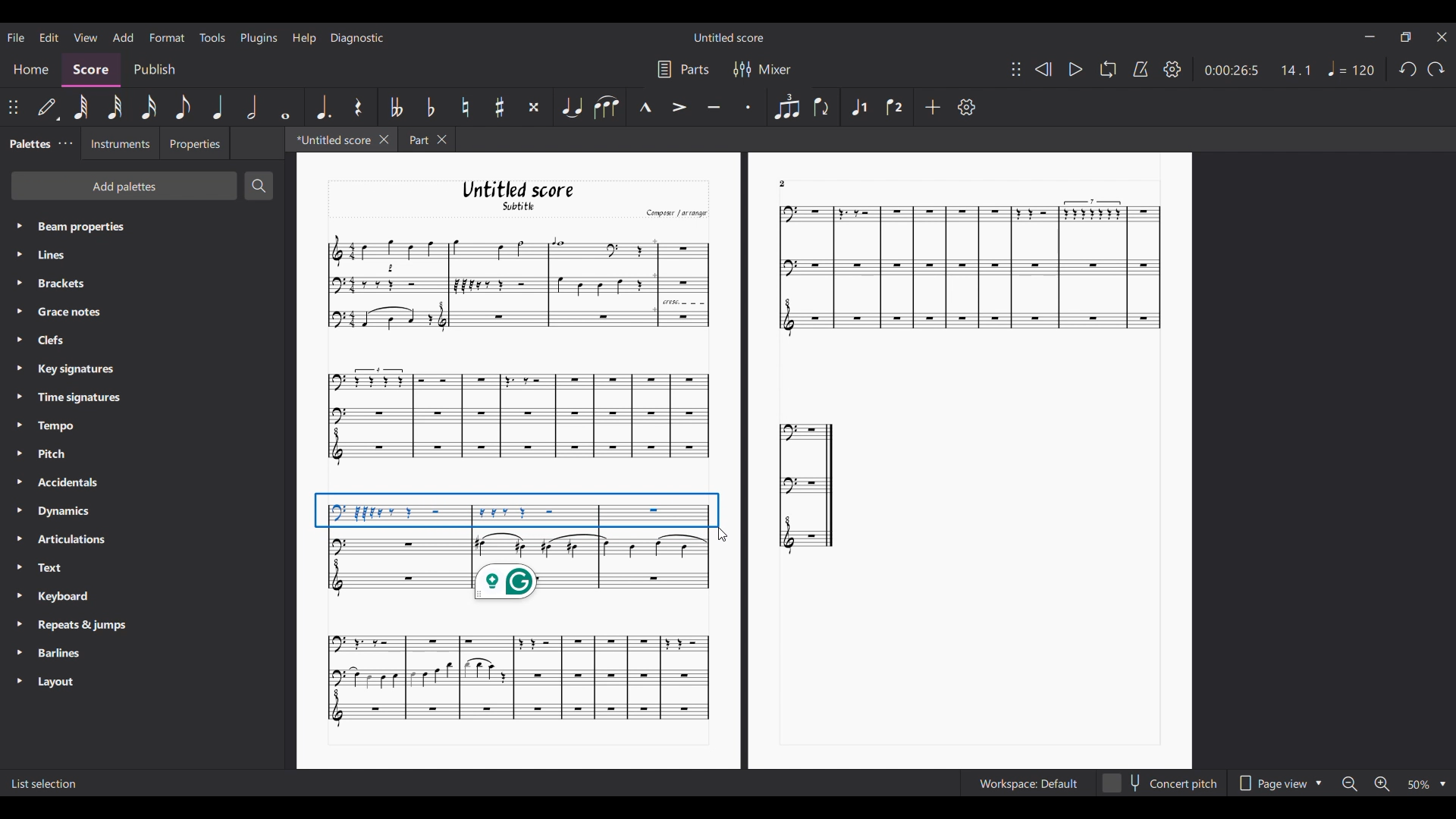  I want to click on Graph, so click(516, 679).